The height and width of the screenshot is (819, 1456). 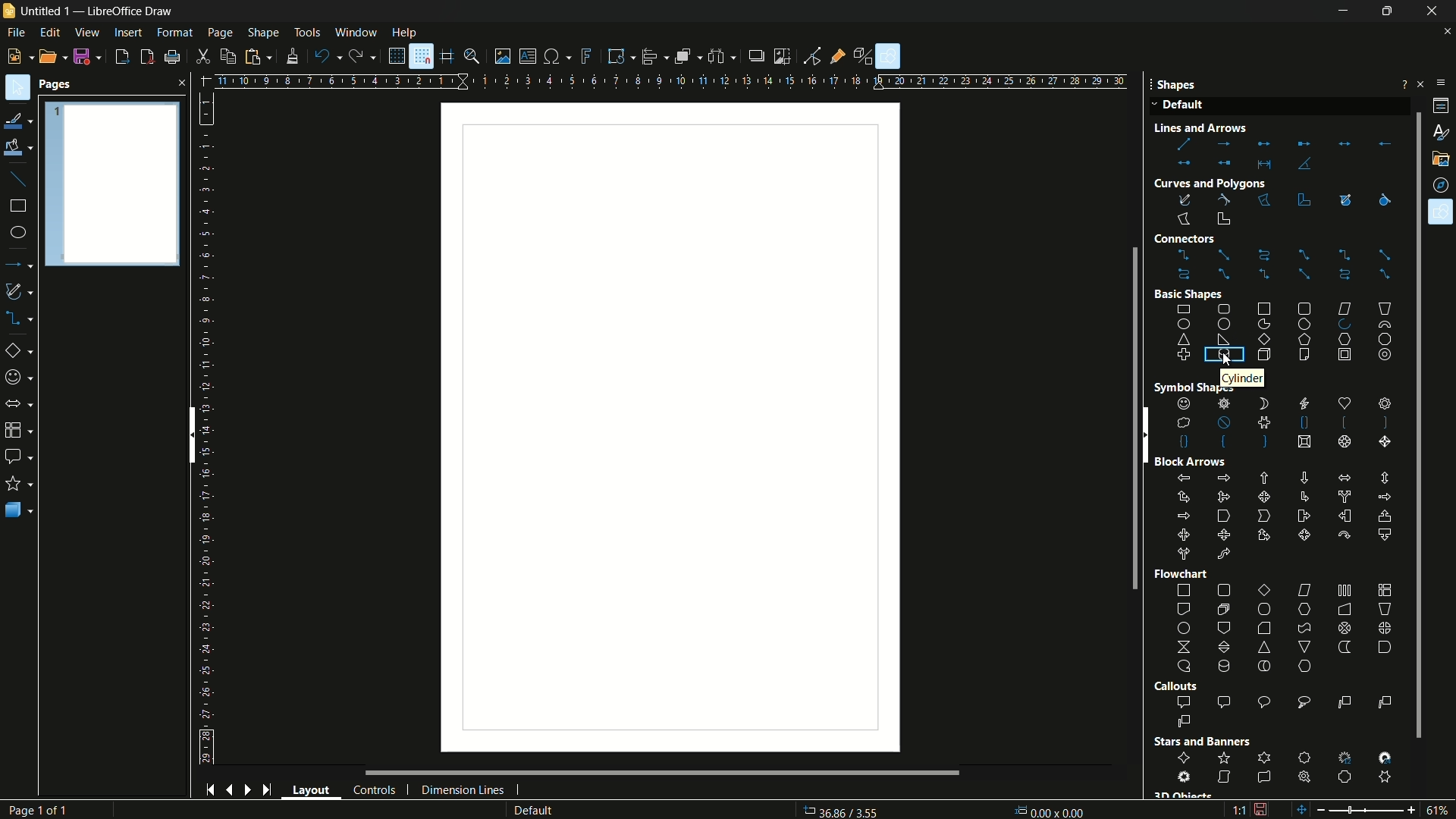 I want to click on block arrows, so click(x=20, y=403).